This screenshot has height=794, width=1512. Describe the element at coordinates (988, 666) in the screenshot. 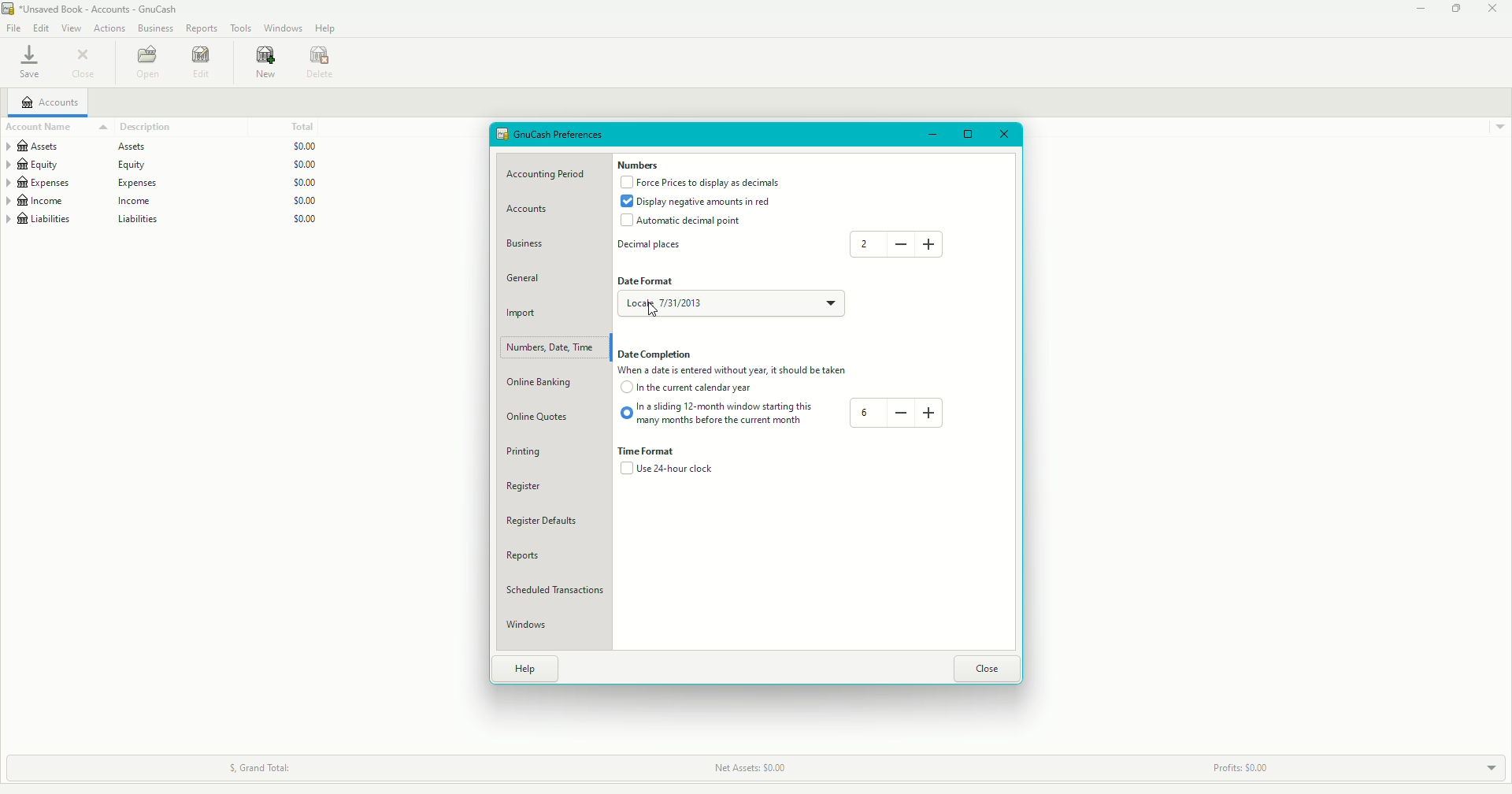

I see `Close` at that location.